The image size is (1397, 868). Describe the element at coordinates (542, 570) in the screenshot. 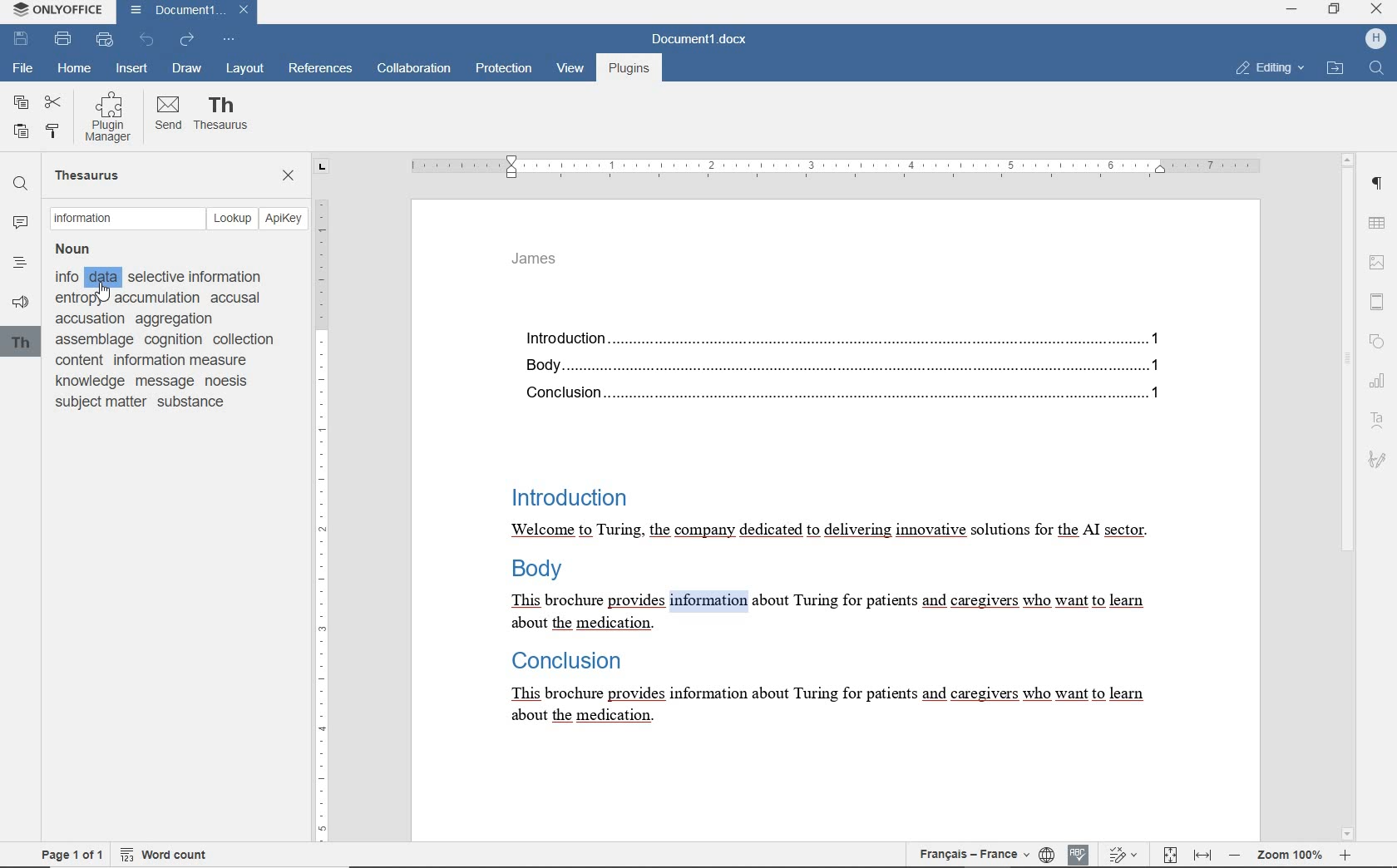

I see `Body` at that location.